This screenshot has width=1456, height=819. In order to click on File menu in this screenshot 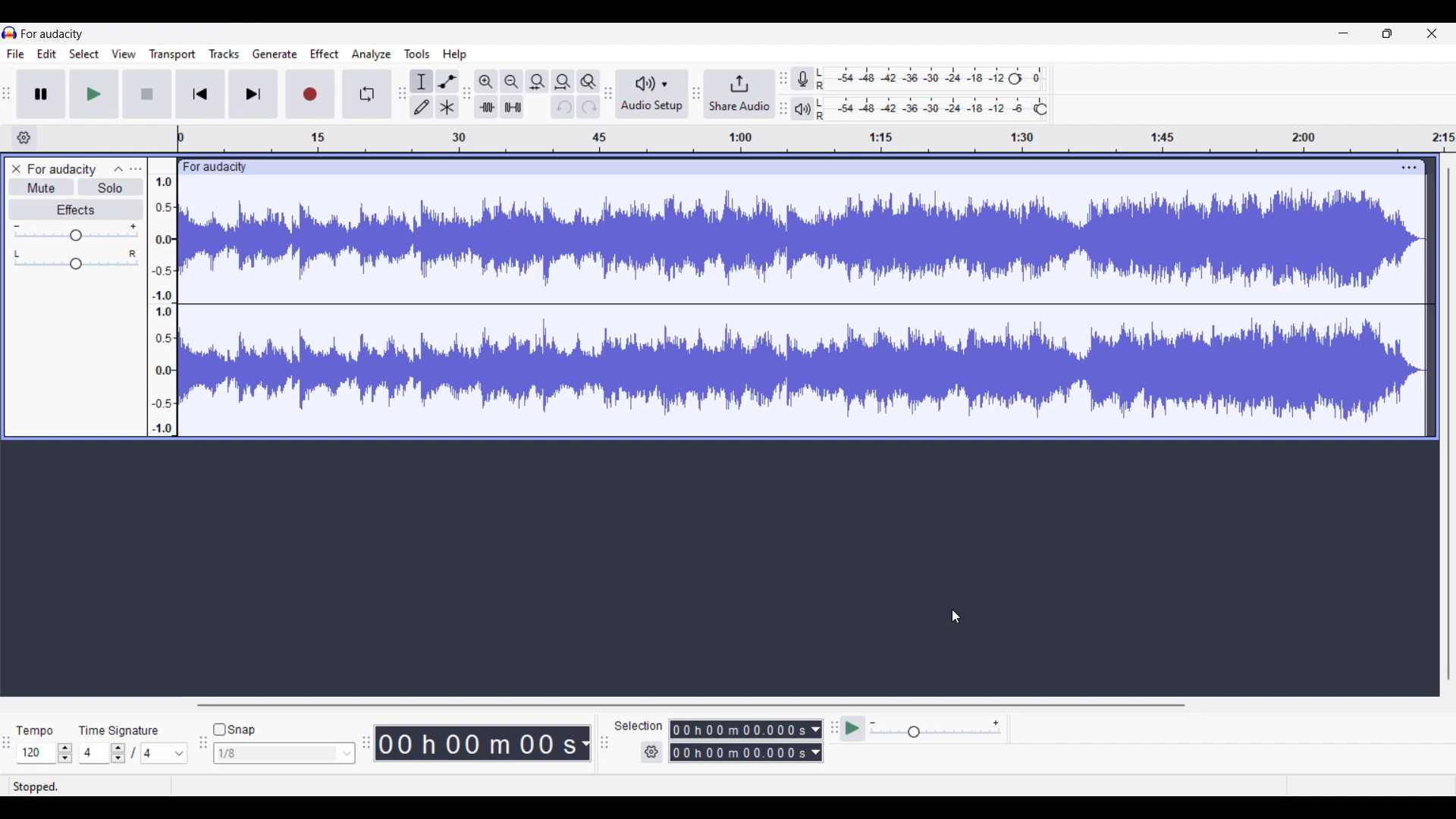, I will do `click(16, 54)`.